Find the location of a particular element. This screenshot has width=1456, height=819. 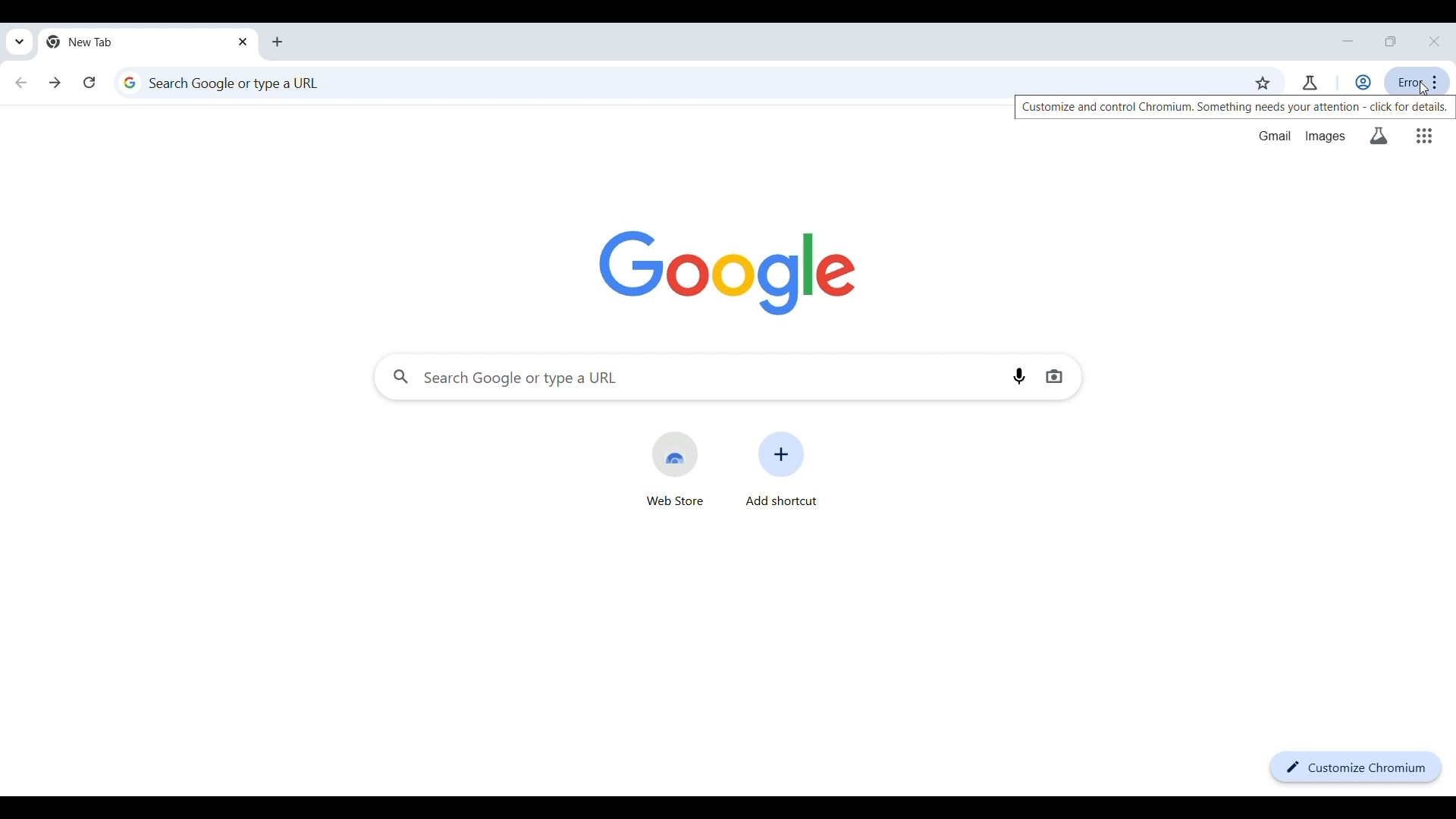

Web store is located at coordinates (675, 469).